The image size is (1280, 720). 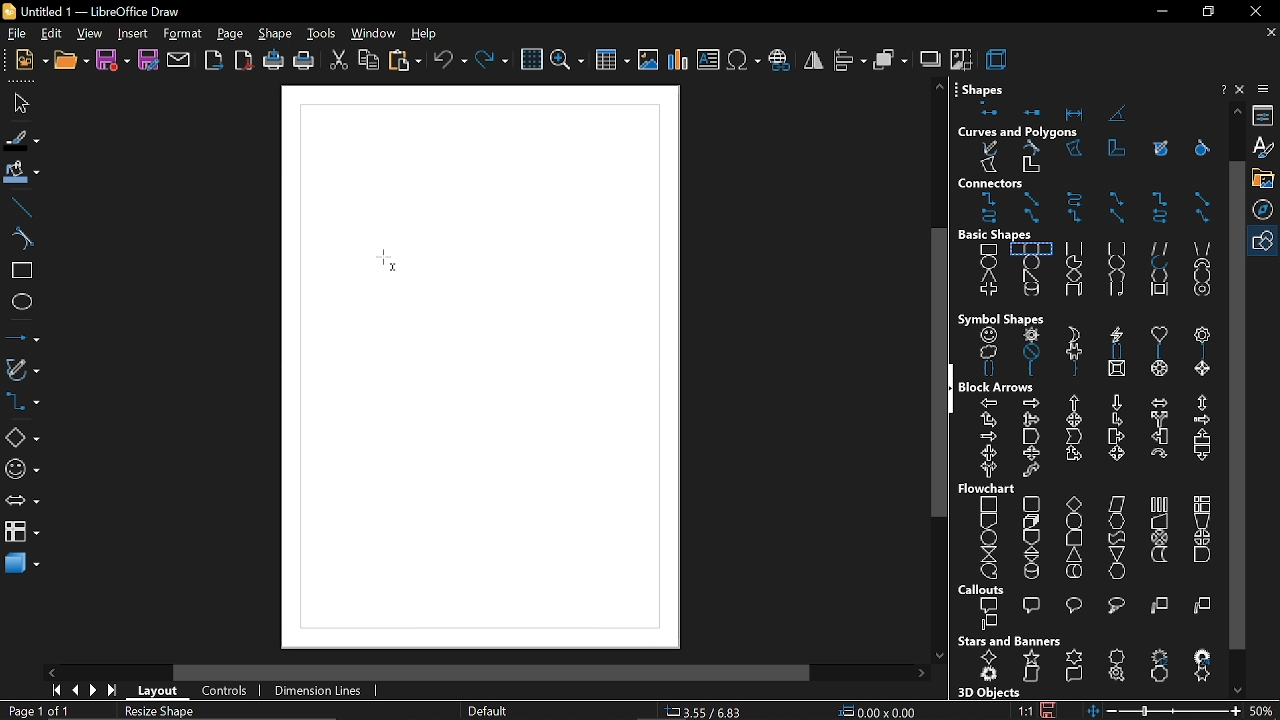 I want to click on basic shapes, so click(x=21, y=438).